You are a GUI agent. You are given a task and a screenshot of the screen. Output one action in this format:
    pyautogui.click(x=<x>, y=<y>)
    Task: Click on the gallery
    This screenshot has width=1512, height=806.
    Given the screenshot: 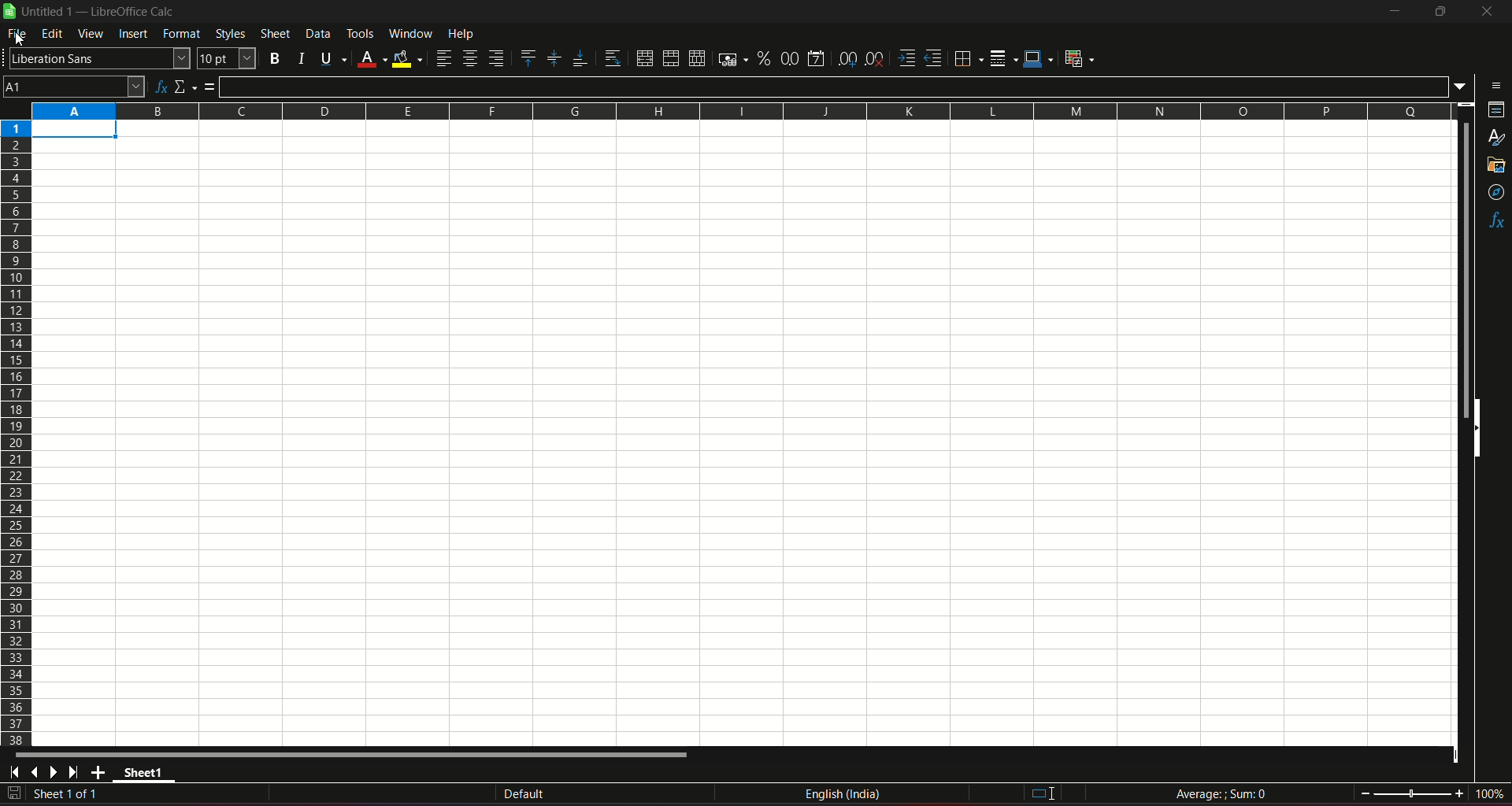 What is the action you would take?
    pyautogui.click(x=1497, y=168)
    